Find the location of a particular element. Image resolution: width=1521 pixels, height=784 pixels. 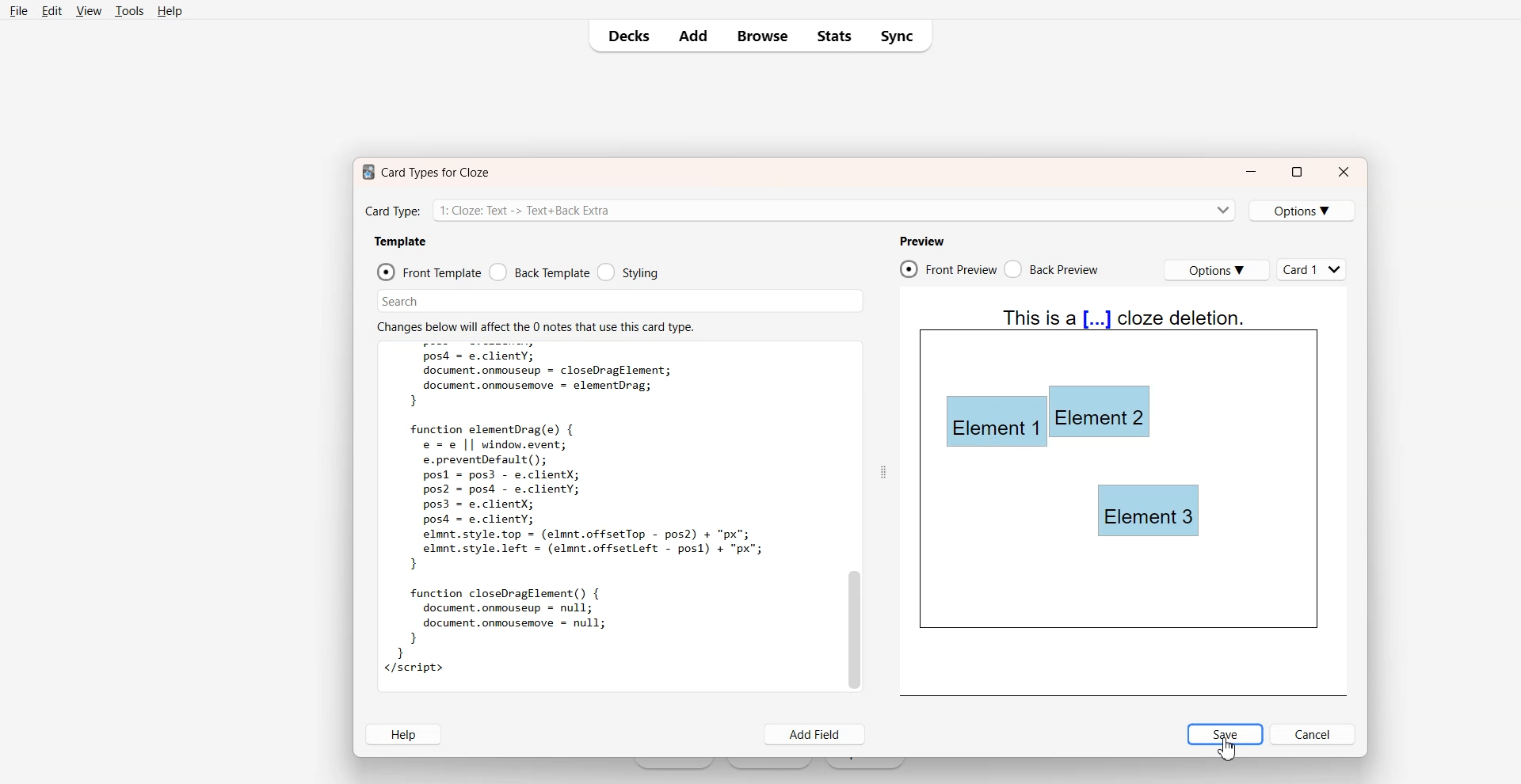

Front Preview is located at coordinates (948, 268).